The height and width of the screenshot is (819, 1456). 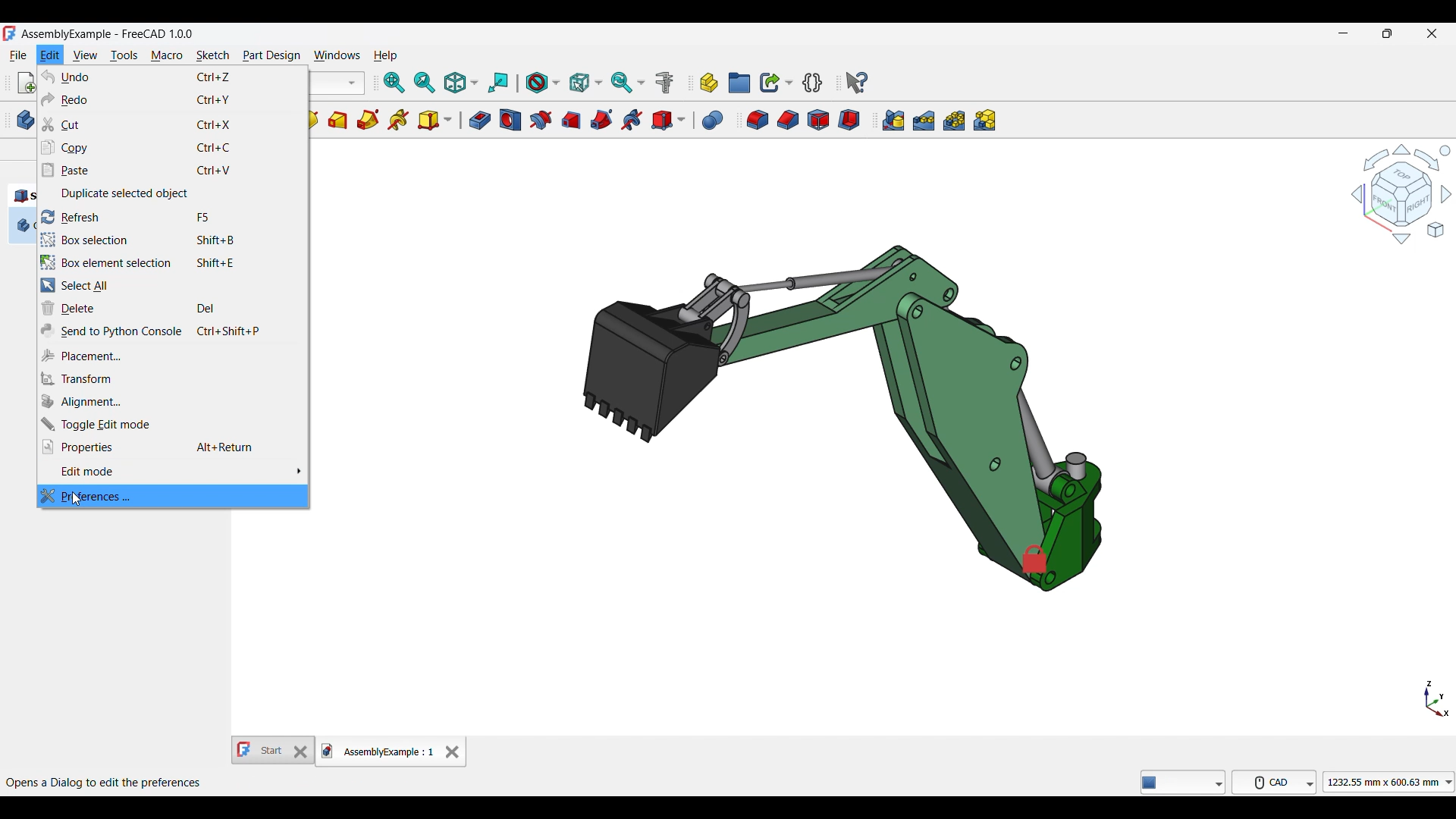 What do you see at coordinates (585, 83) in the screenshot?
I see `Selection filter options` at bounding box center [585, 83].